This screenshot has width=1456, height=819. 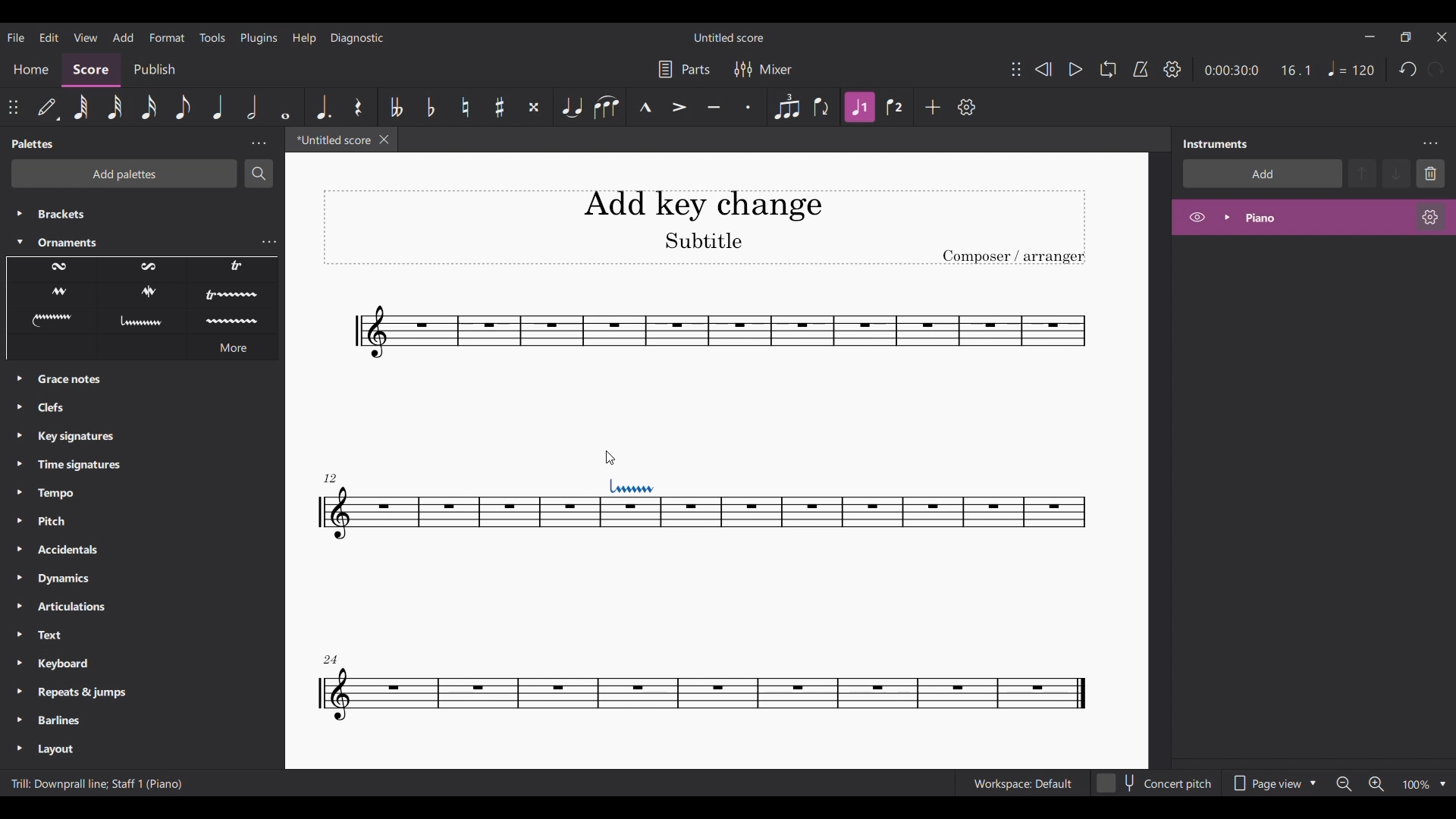 What do you see at coordinates (303, 38) in the screenshot?
I see `Help menu` at bounding box center [303, 38].